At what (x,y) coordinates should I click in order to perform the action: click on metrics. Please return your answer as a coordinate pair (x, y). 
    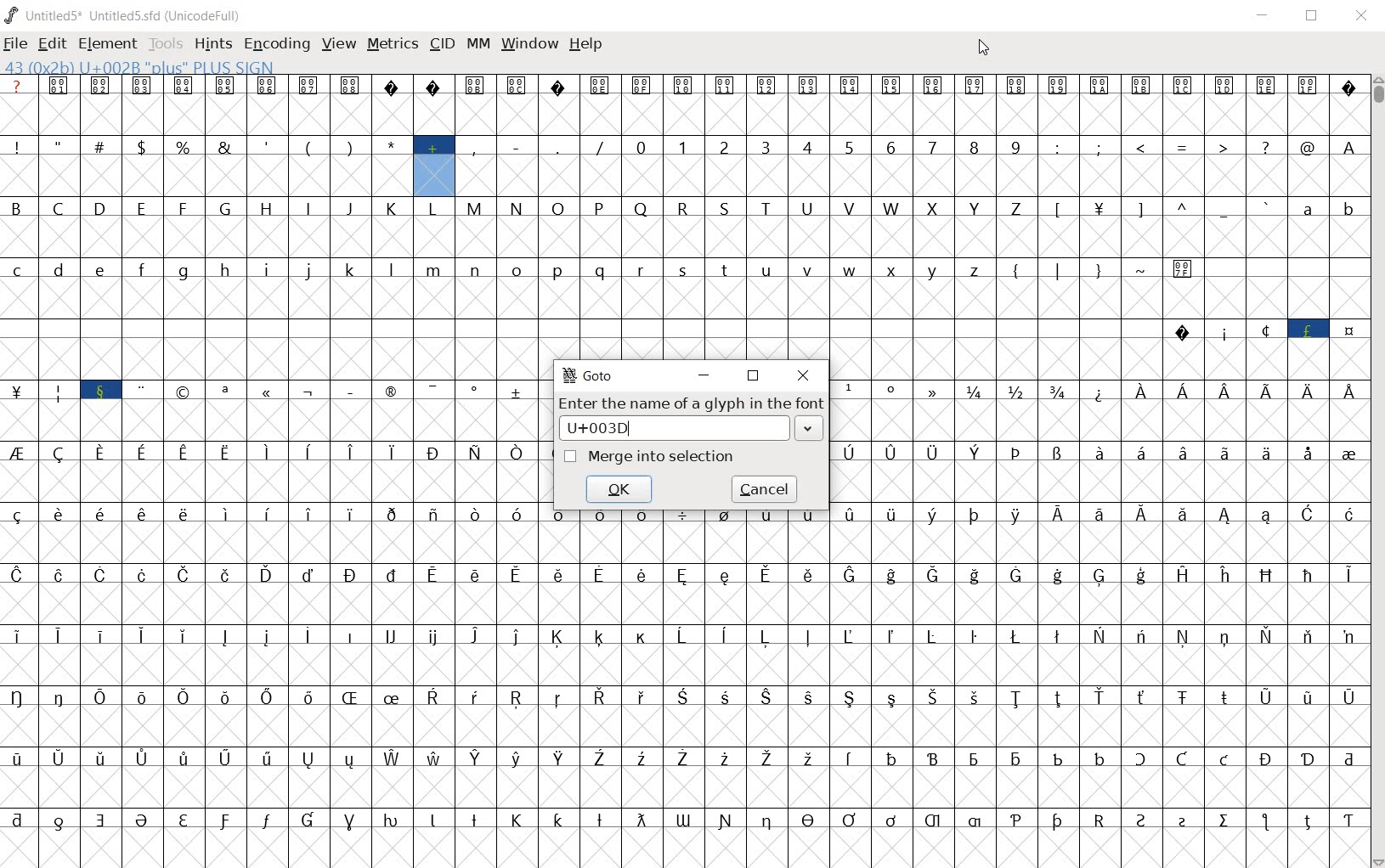
    Looking at the image, I should click on (392, 44).